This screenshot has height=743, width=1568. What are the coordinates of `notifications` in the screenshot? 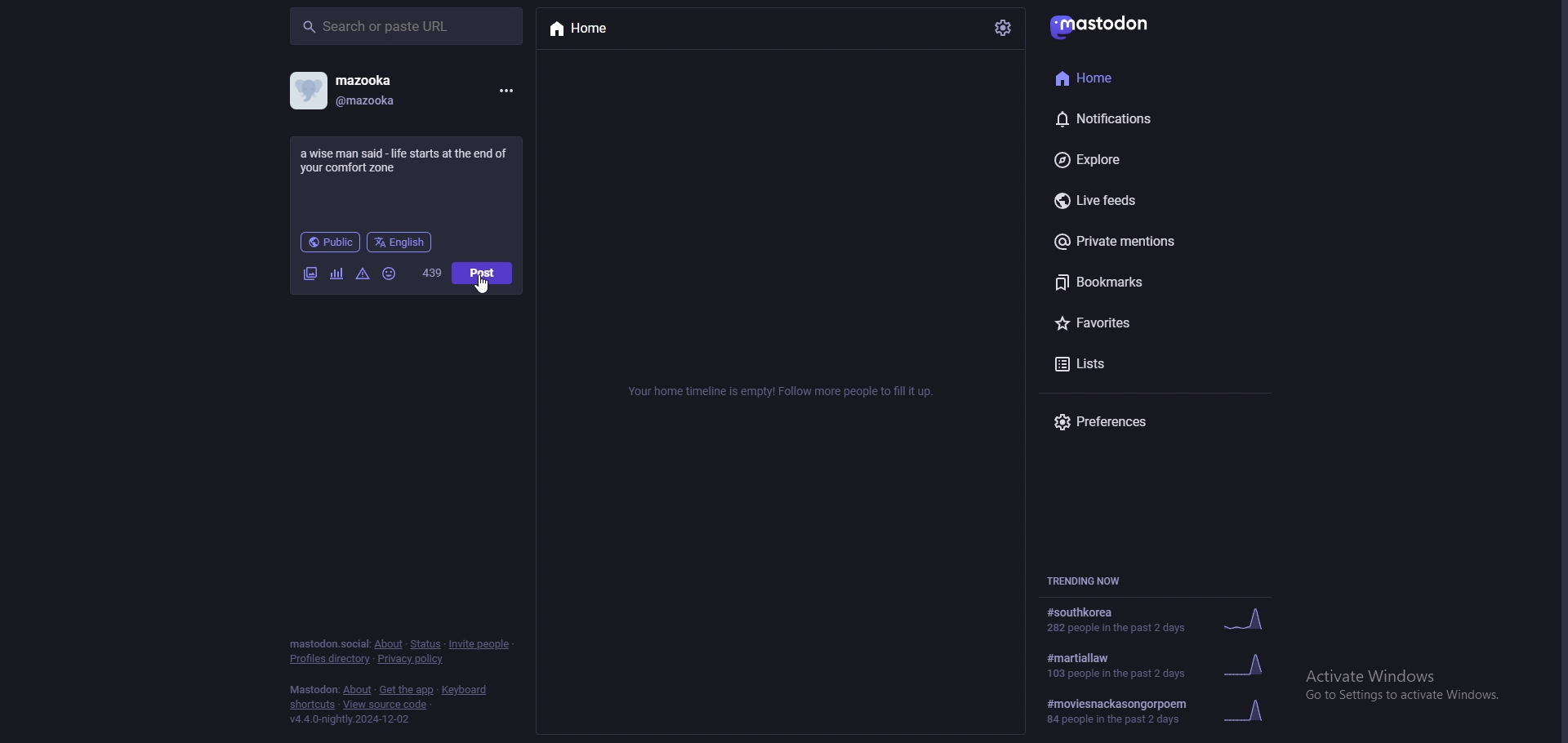 It's located at (1132, 117).